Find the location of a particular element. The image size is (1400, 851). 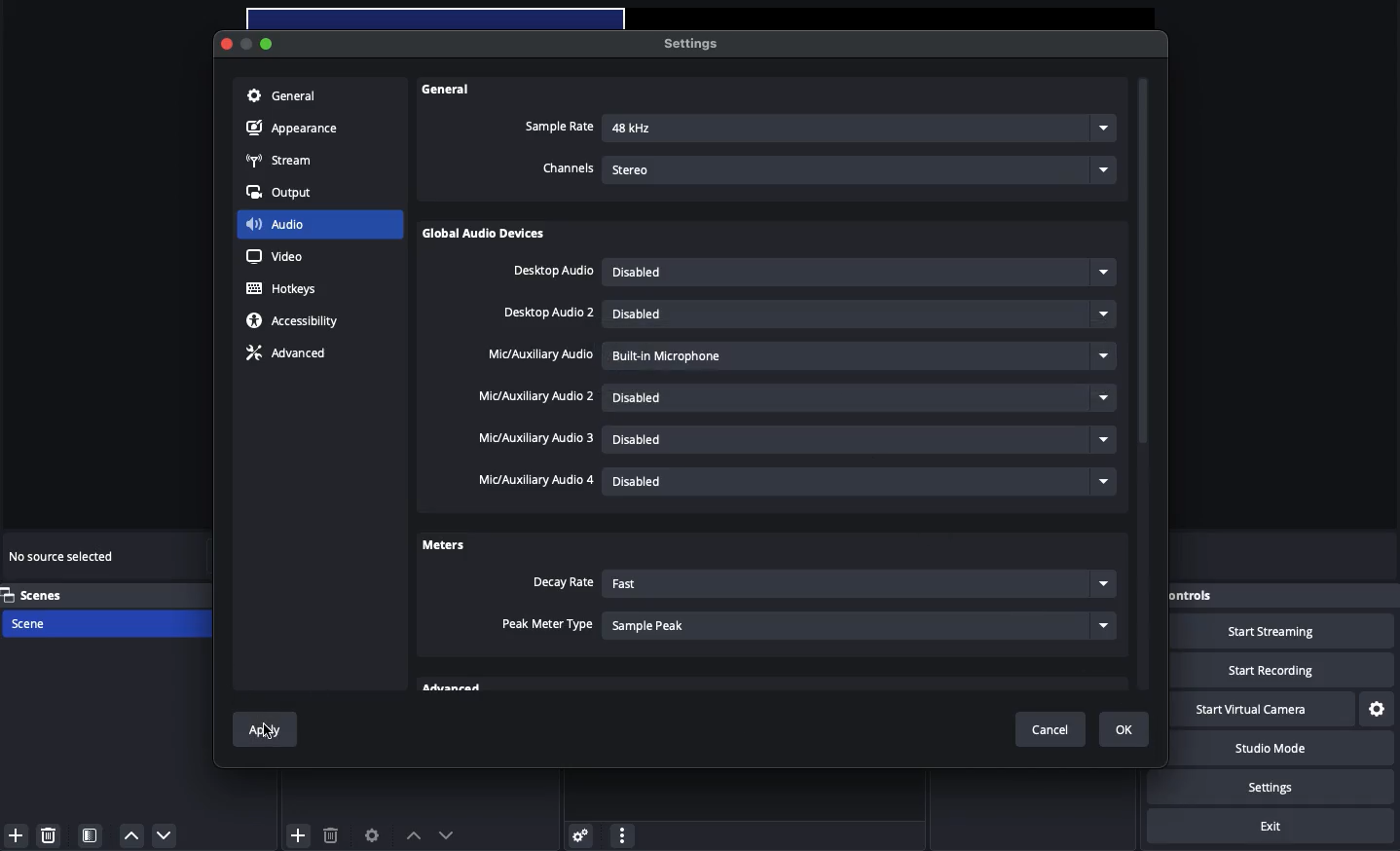

Scene filter is located at coordinates (91, 835).